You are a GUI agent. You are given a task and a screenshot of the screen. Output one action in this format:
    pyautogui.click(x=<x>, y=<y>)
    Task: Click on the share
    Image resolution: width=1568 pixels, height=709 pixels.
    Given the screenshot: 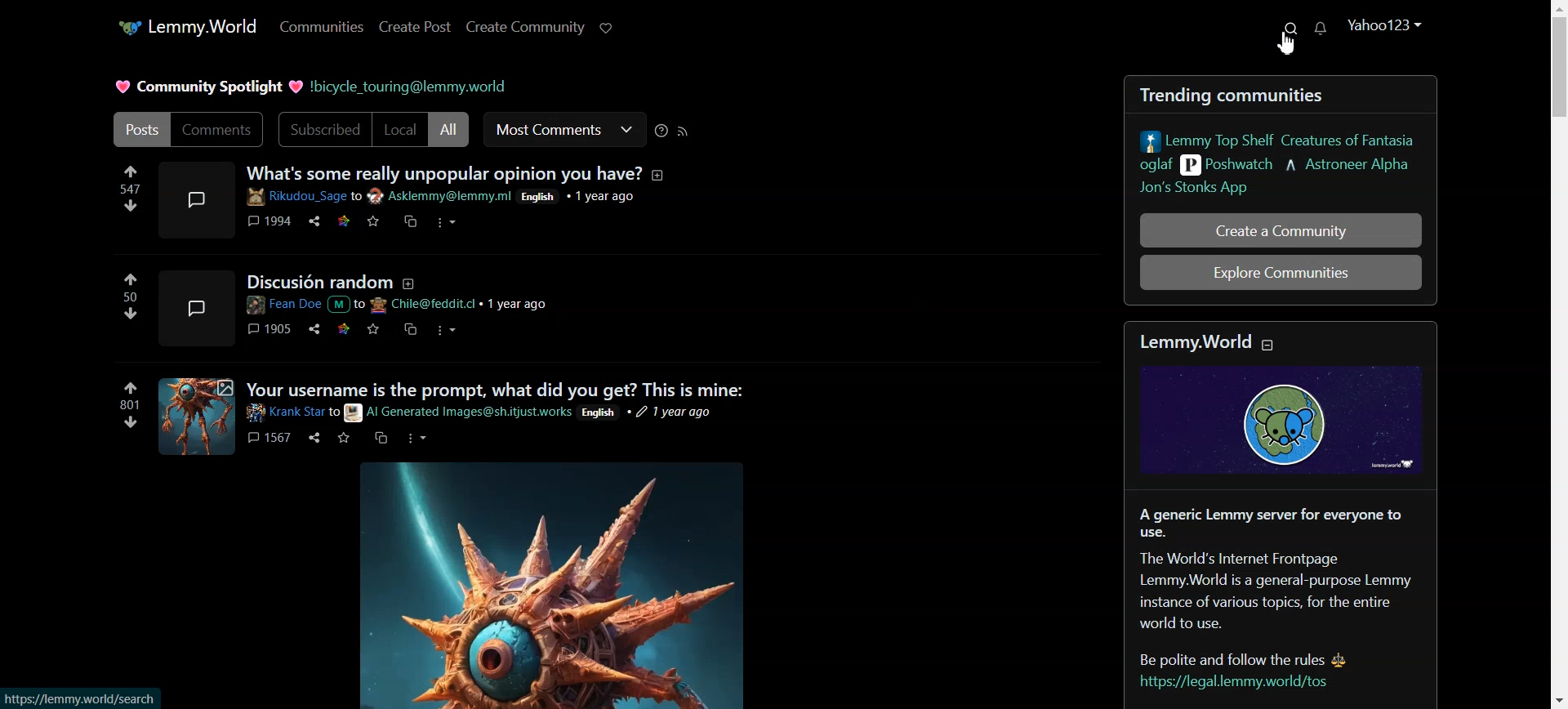 What is the action you would take?
    pyautogui.click(x=316, y=329)
    